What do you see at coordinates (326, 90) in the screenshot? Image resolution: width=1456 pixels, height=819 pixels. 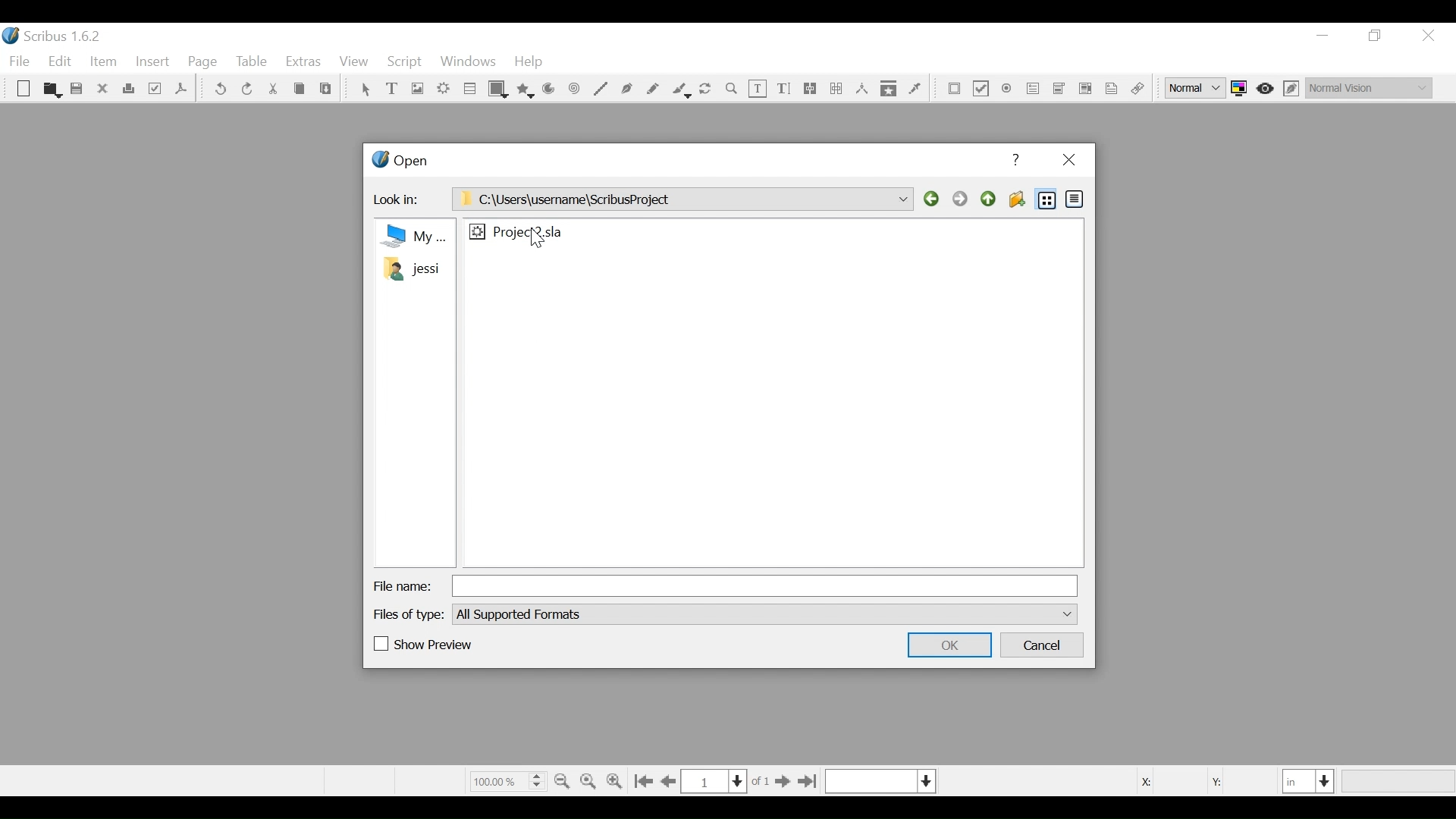 I see `Paste` at bounding box center [326, 90].